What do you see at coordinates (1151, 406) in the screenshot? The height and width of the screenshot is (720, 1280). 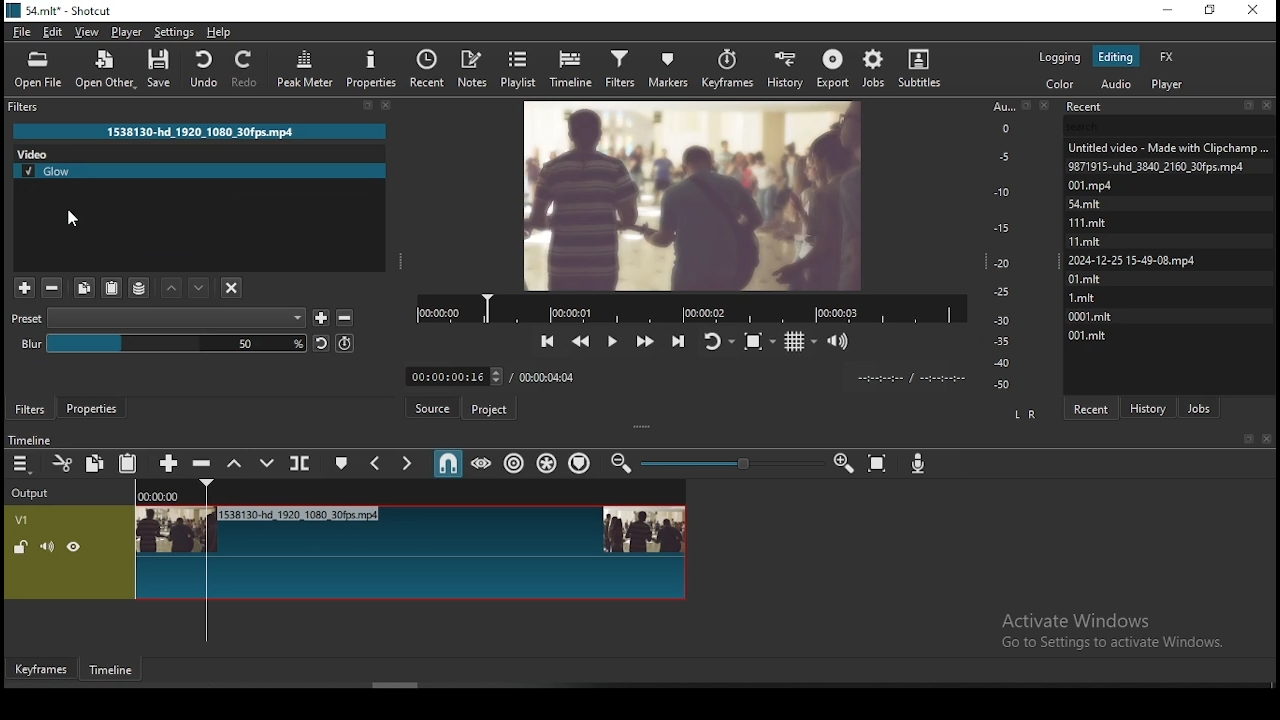 I see `history` at bounding box center [1151, 406].